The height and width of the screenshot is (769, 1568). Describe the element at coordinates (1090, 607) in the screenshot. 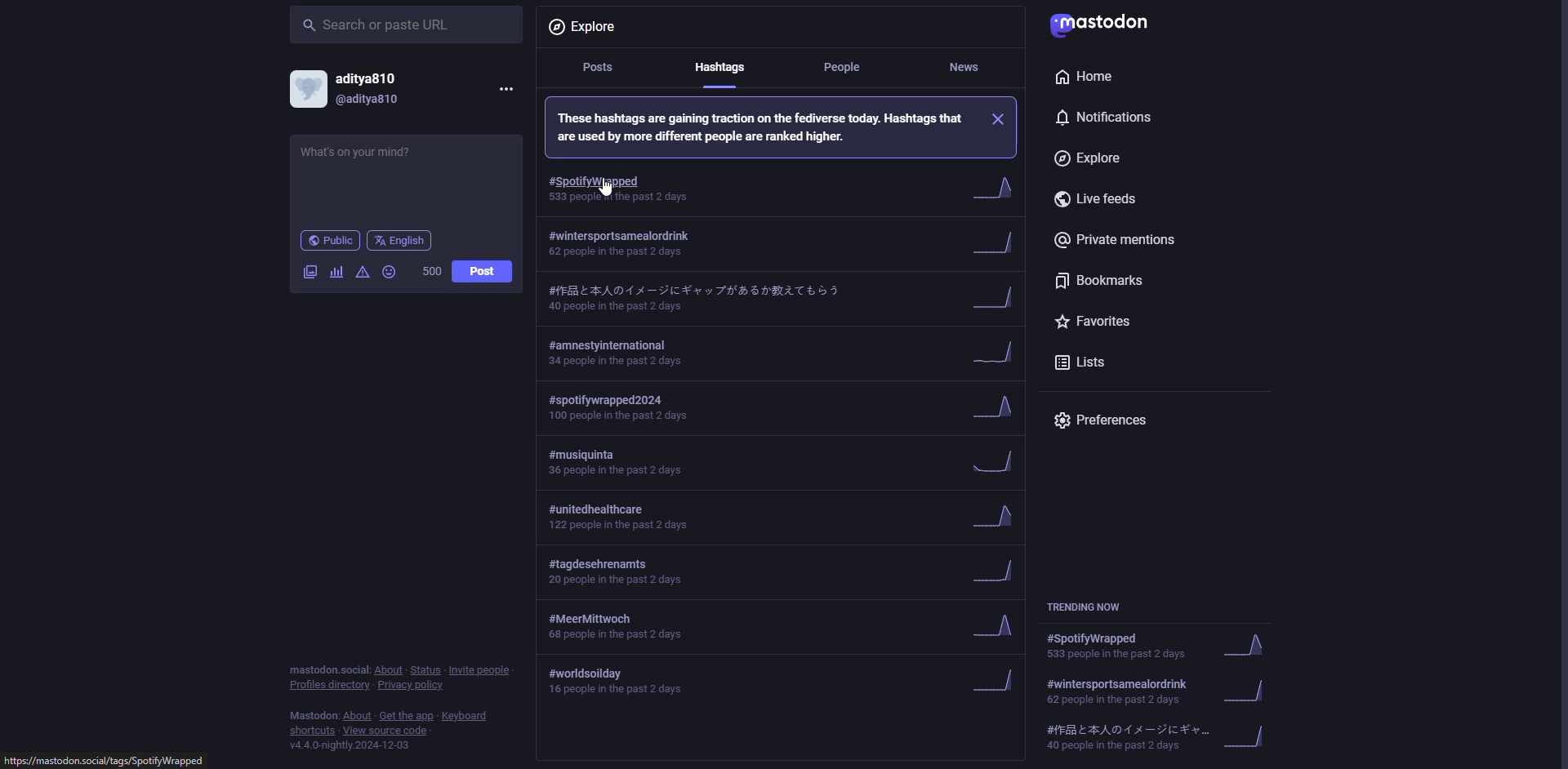

I see `trending ` at that location.